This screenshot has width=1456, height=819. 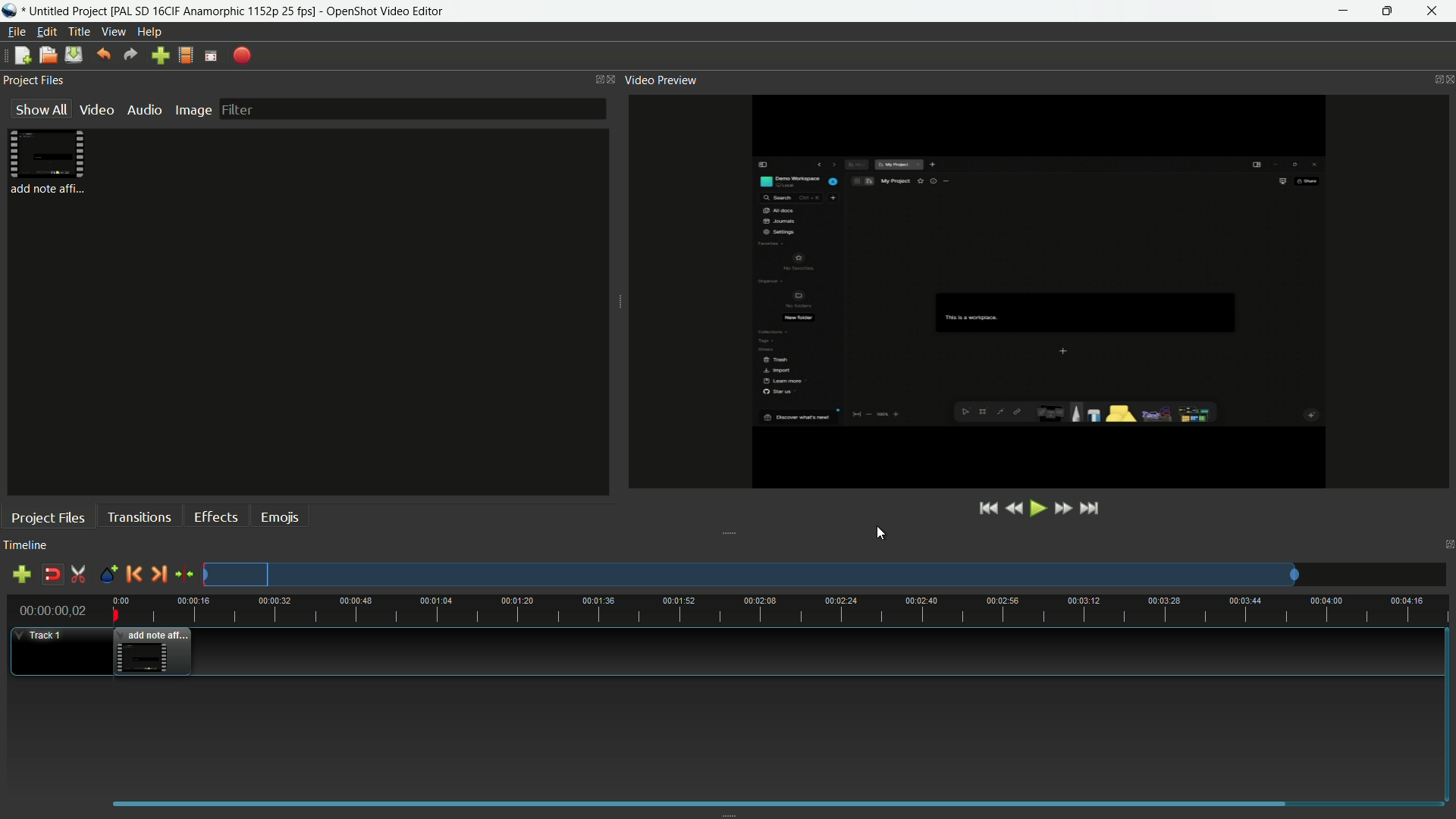 I want to click on file menu, so click(x=14, y=33).